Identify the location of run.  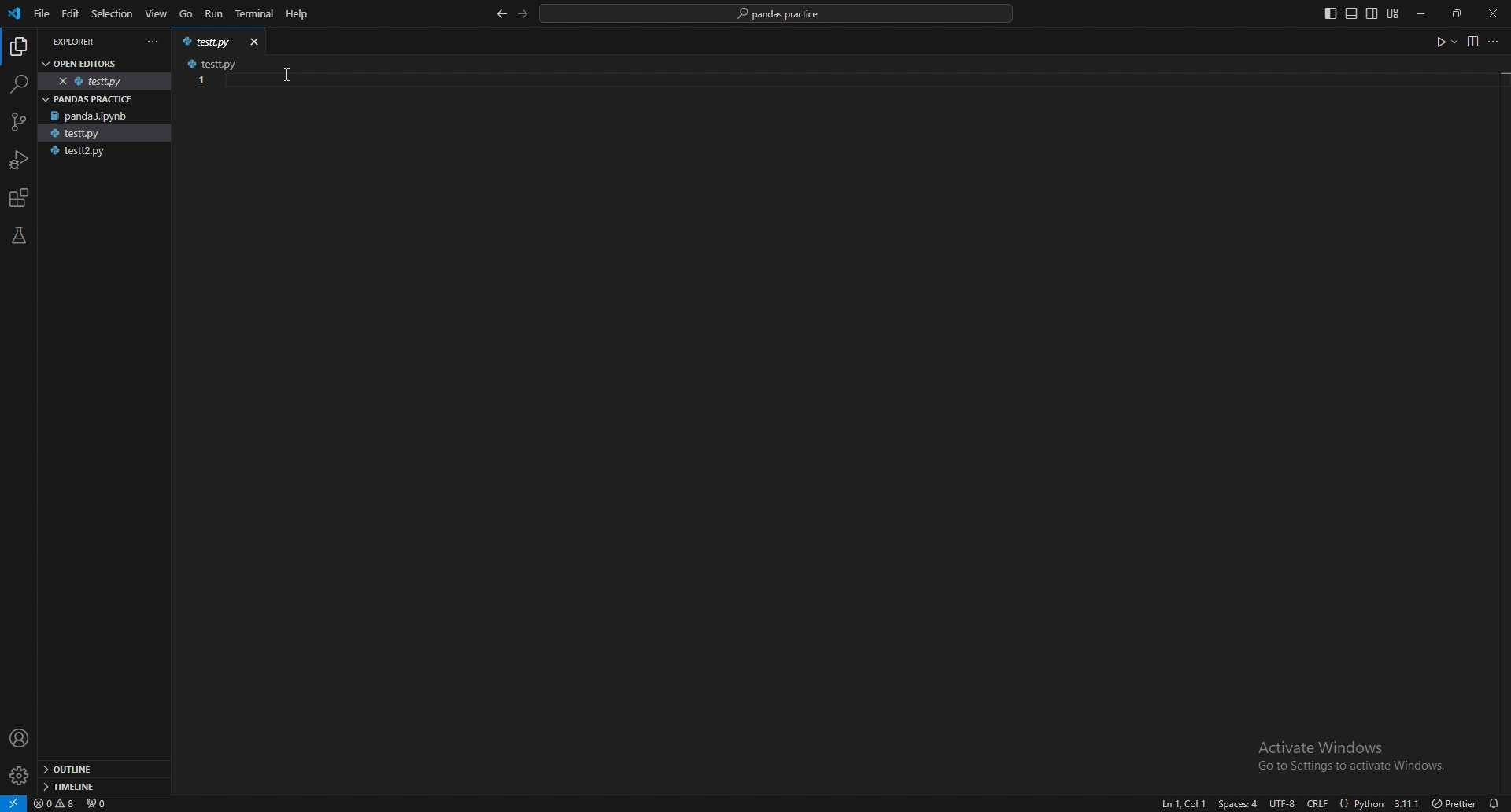
(216, 14).